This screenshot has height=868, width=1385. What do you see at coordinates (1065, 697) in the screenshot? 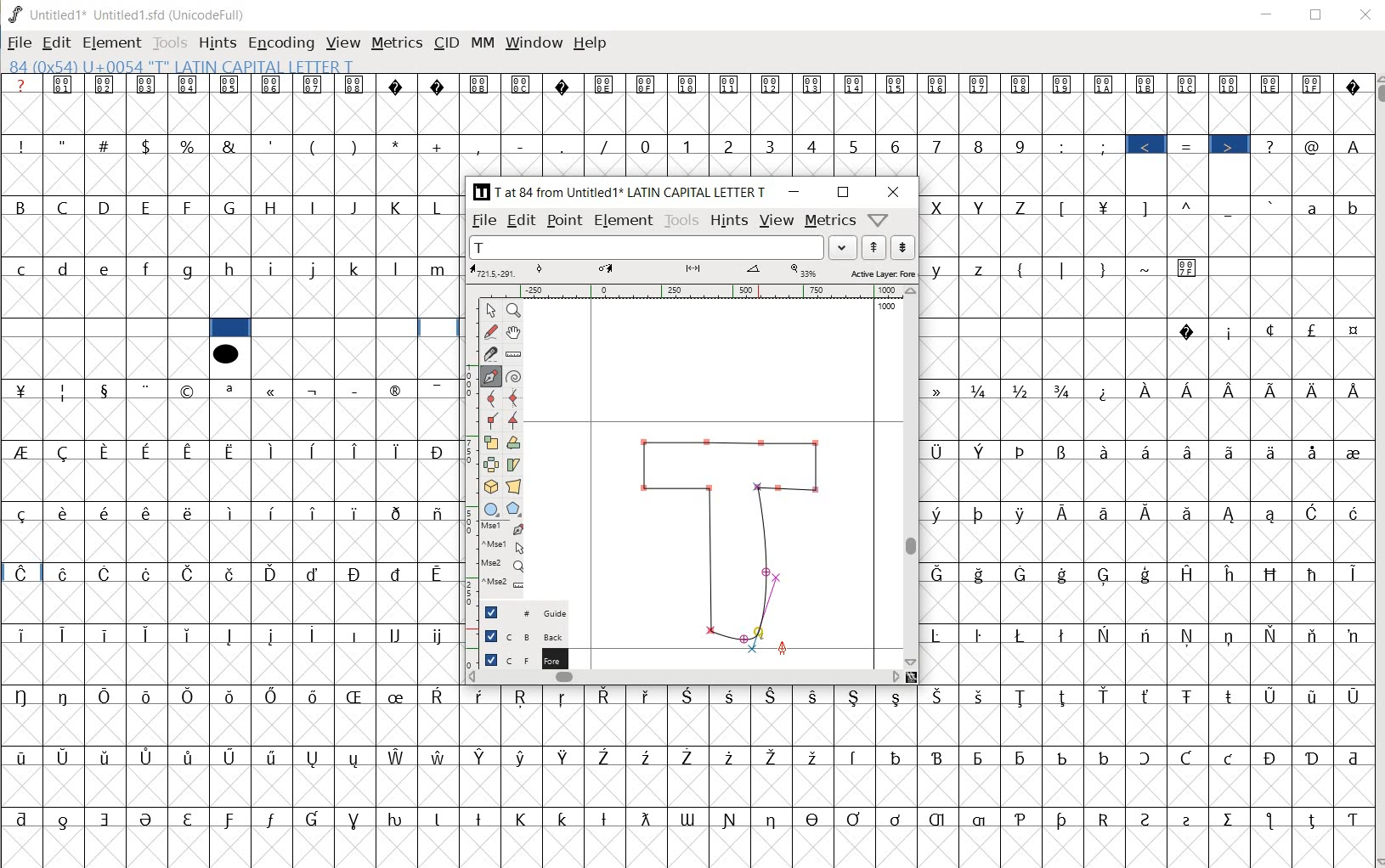
I see `Symbol` at bounding box center [1065, 697].